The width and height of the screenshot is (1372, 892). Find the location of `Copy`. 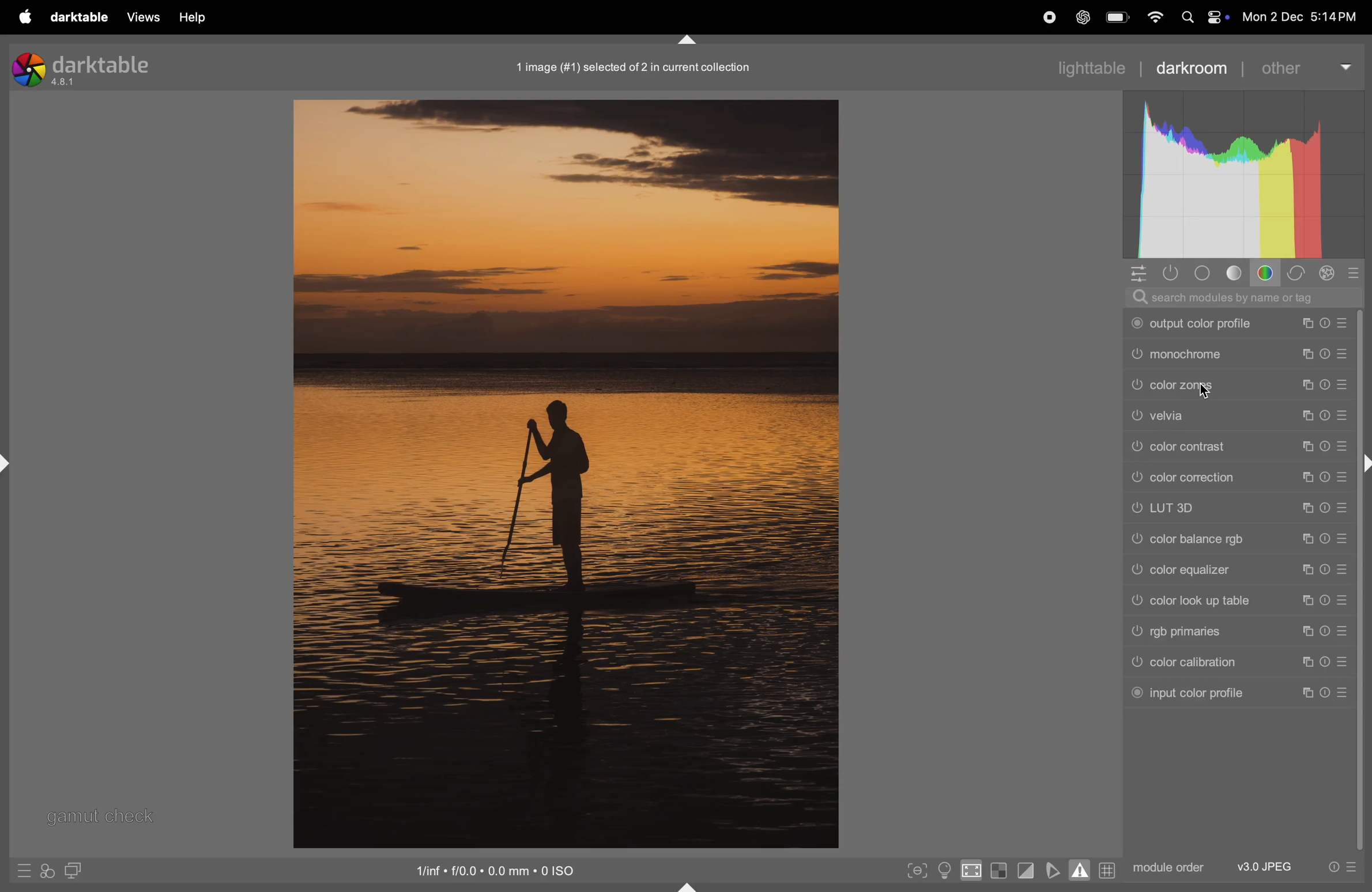

Copy is located at coordinates (1306, 663).